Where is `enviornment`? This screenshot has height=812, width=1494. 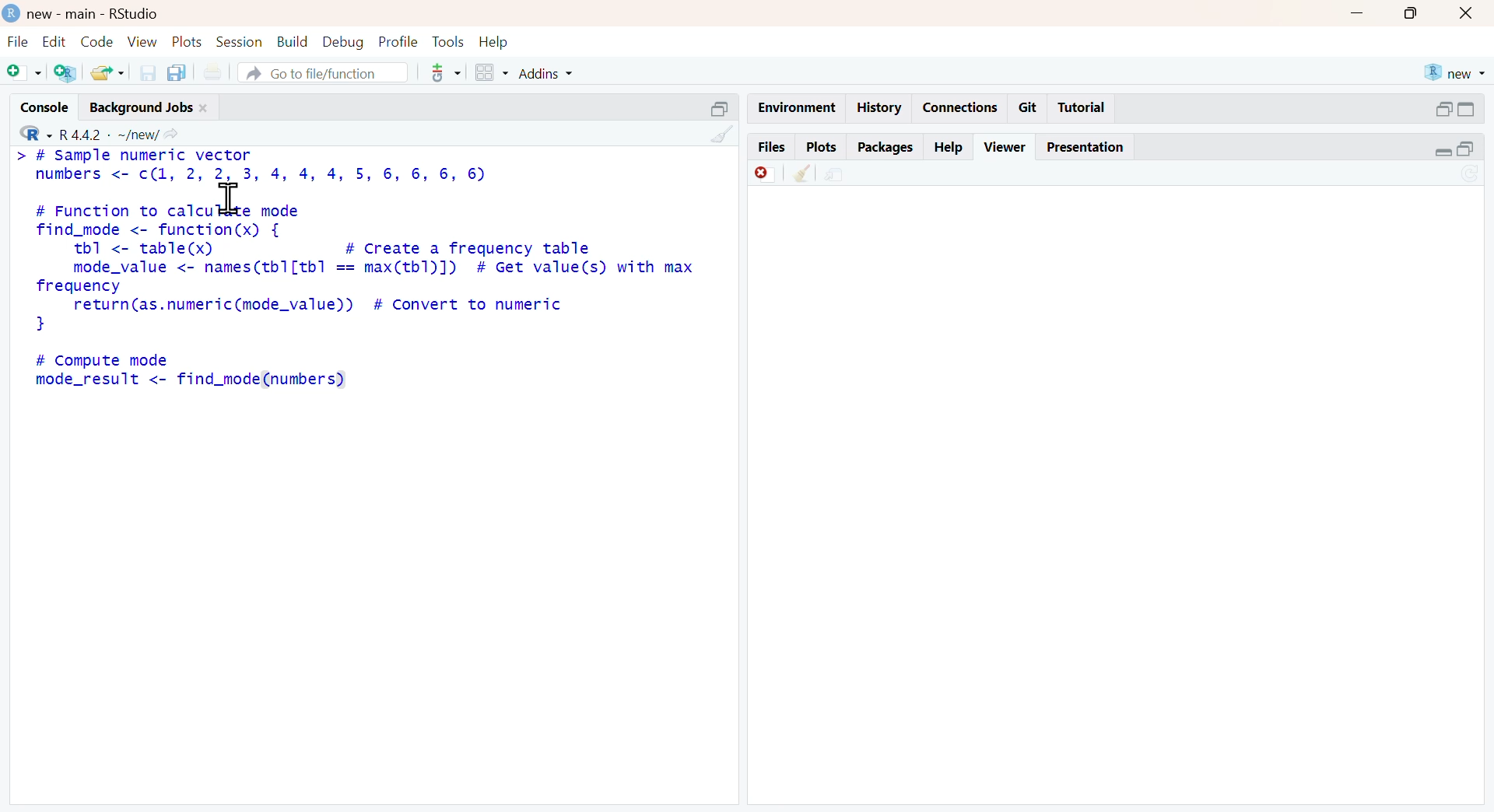
enviornment is located at coordinates (798, 107).